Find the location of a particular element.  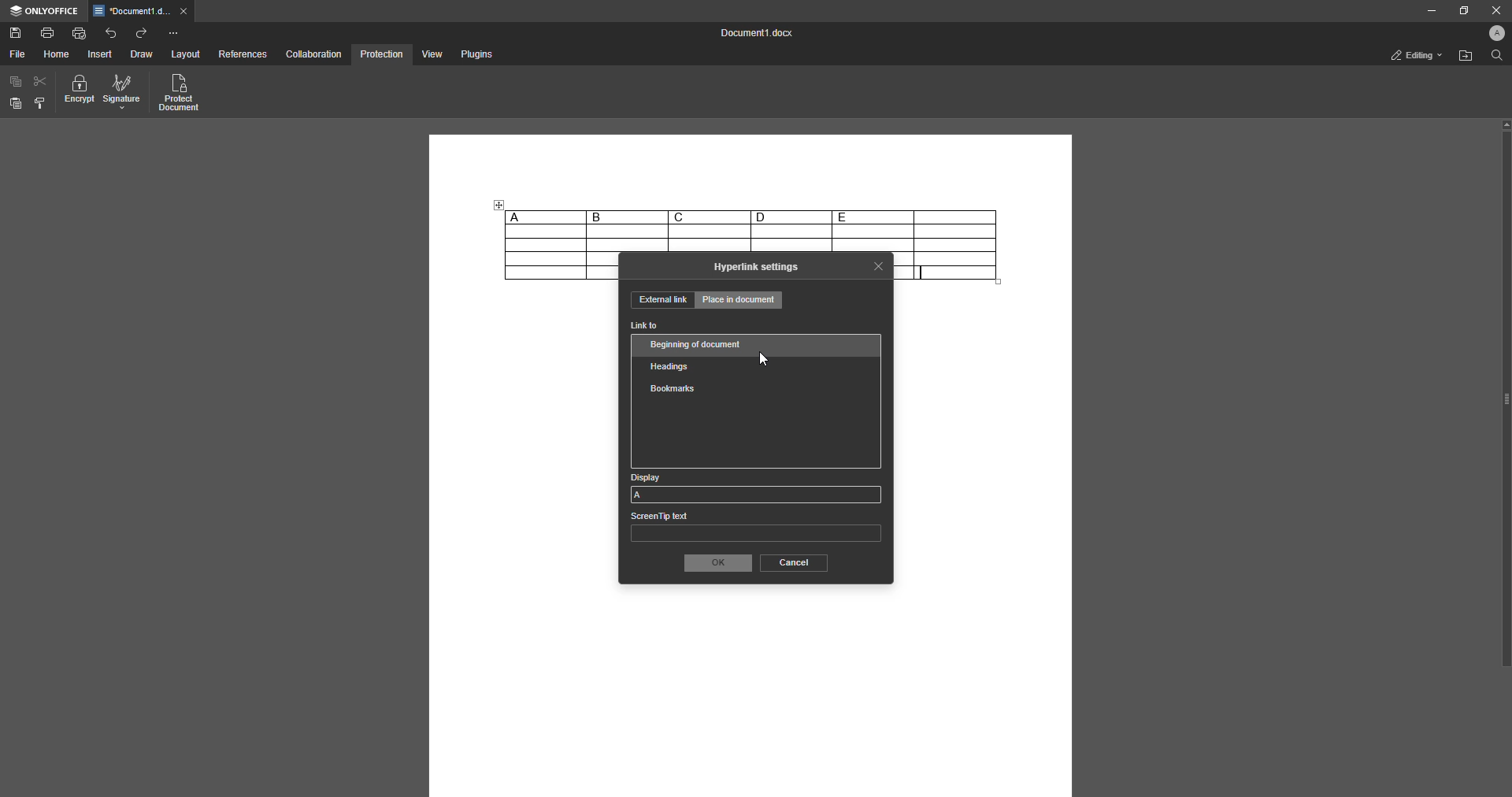

Cursor is located at coordinates (764, 361).